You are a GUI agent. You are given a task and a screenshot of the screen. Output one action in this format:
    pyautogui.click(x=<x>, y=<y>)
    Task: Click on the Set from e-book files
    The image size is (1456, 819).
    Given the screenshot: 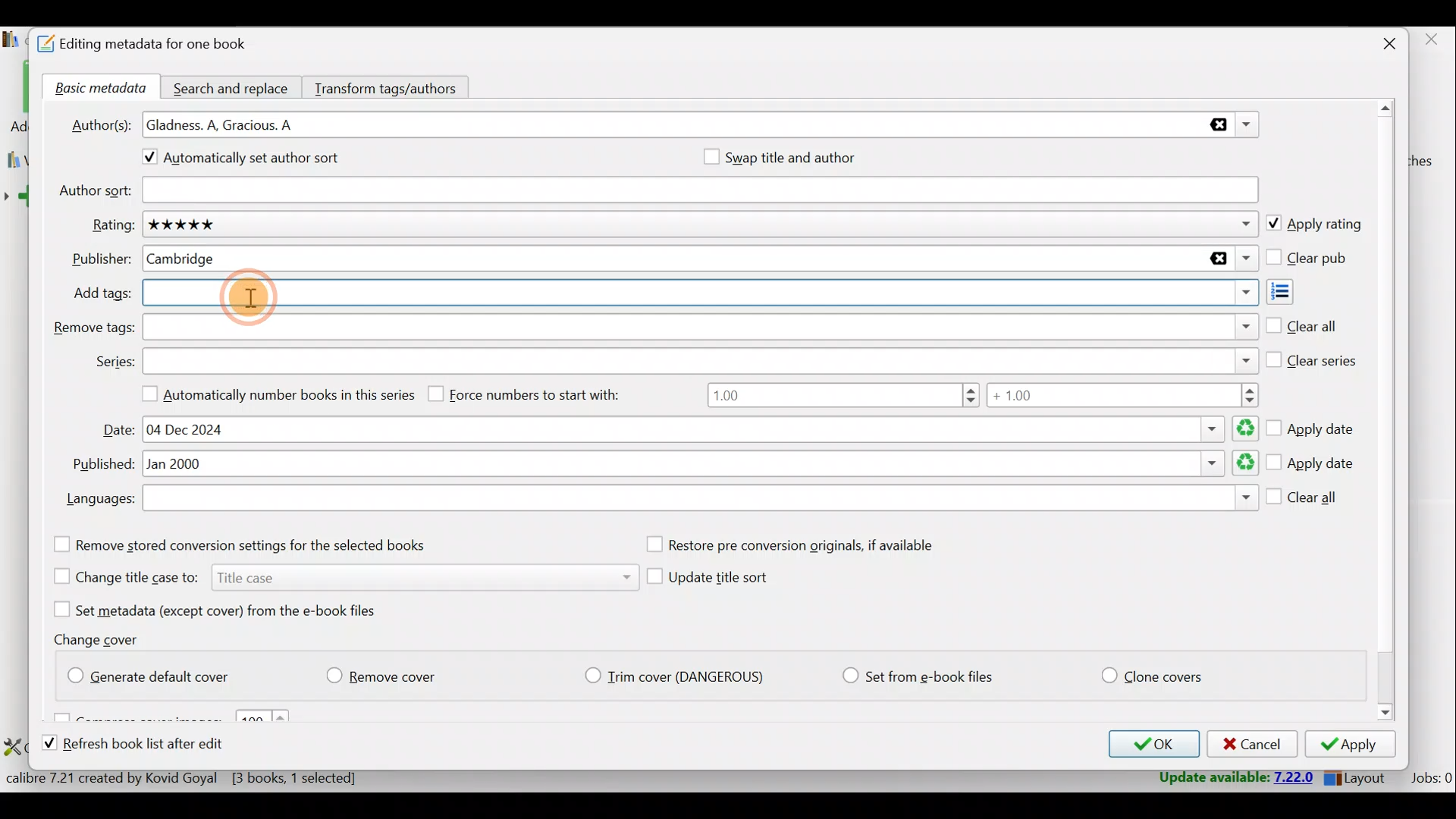 What is the action you would take?
    pyautogui.click(x=917, y=676)
    